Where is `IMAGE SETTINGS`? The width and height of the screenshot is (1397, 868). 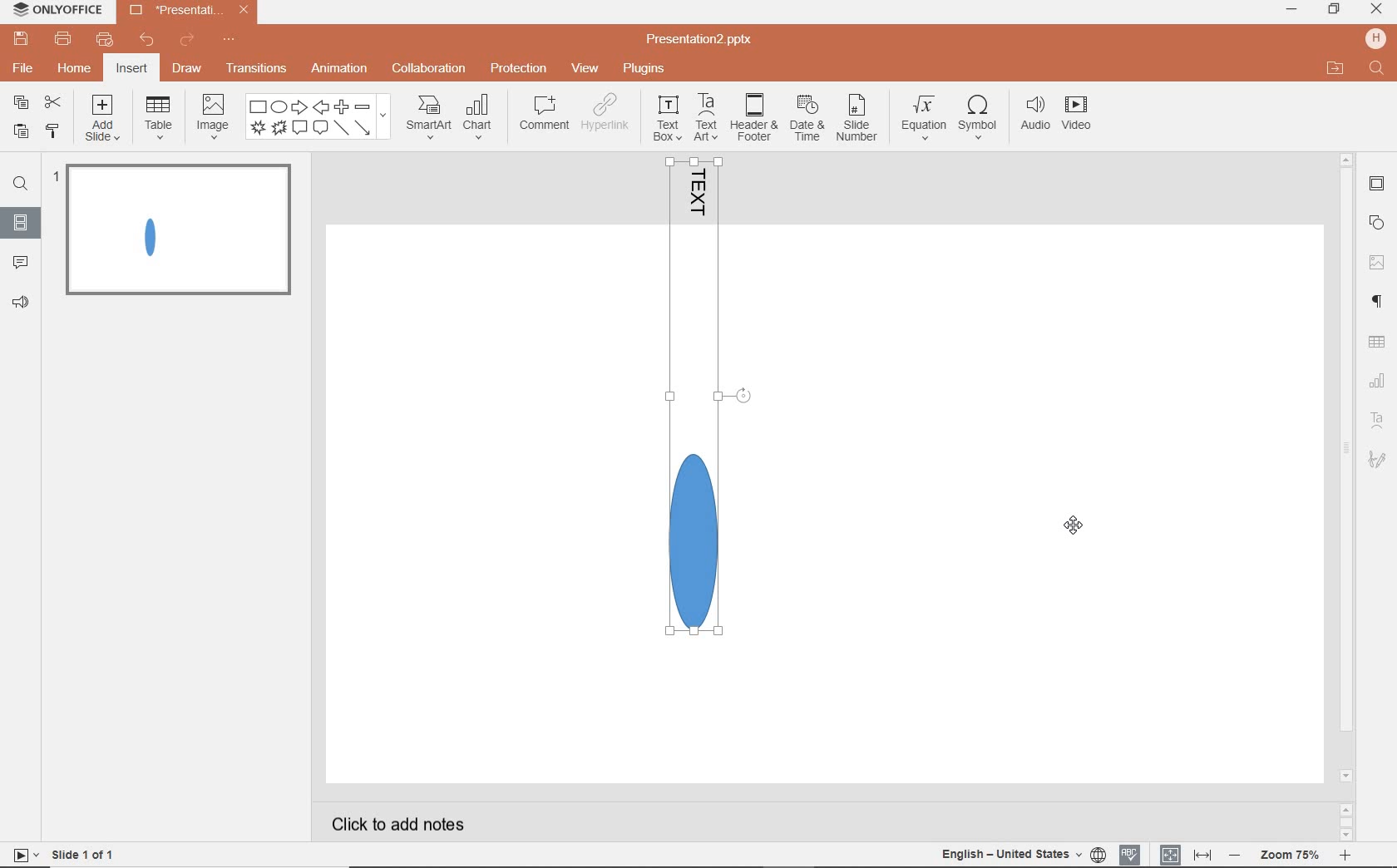
IMAGE SETTINGS is located at coordinates (1377, 262).